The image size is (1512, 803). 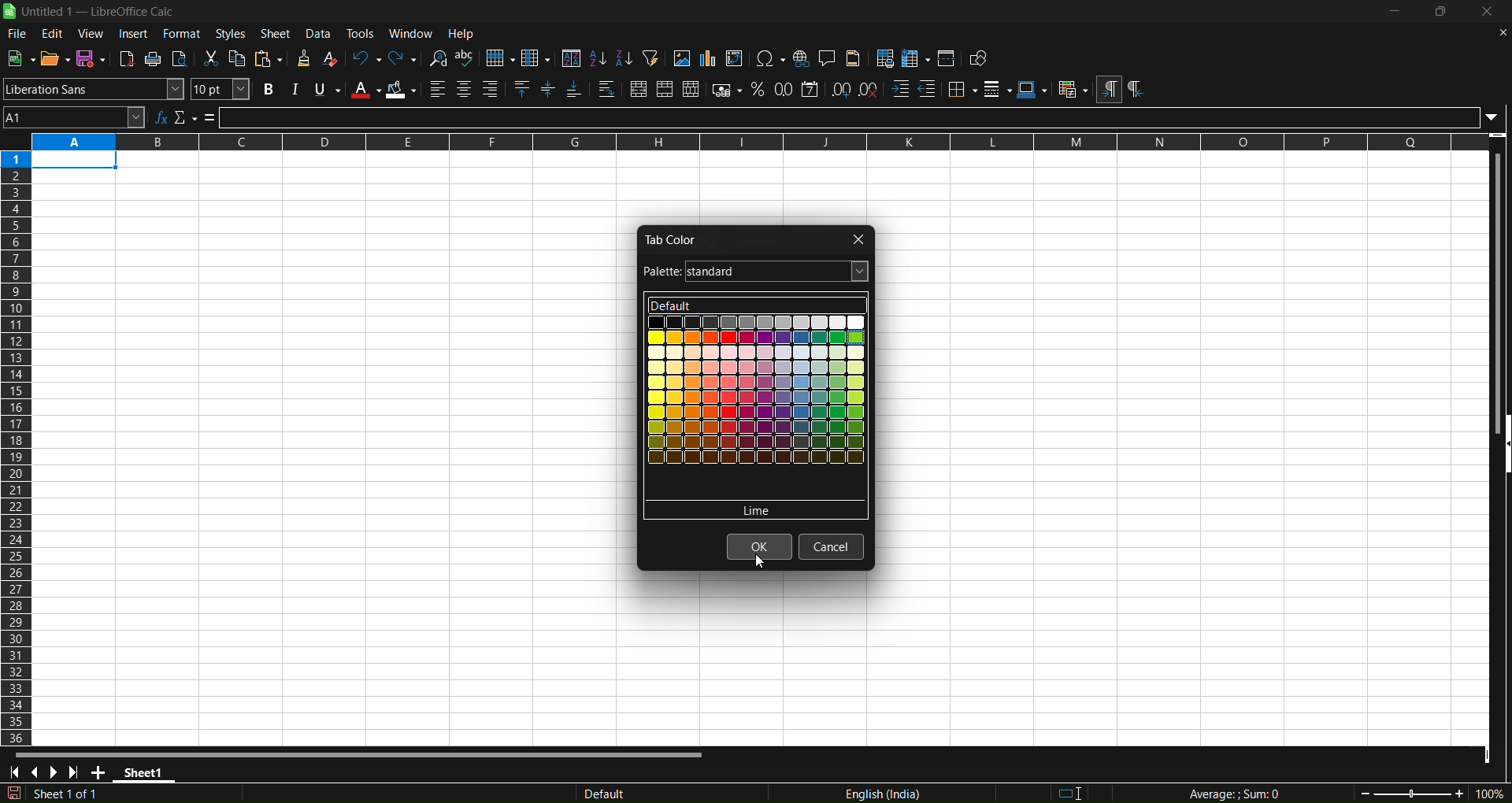 I want to click on wrap text, so click(x=607, y=91).